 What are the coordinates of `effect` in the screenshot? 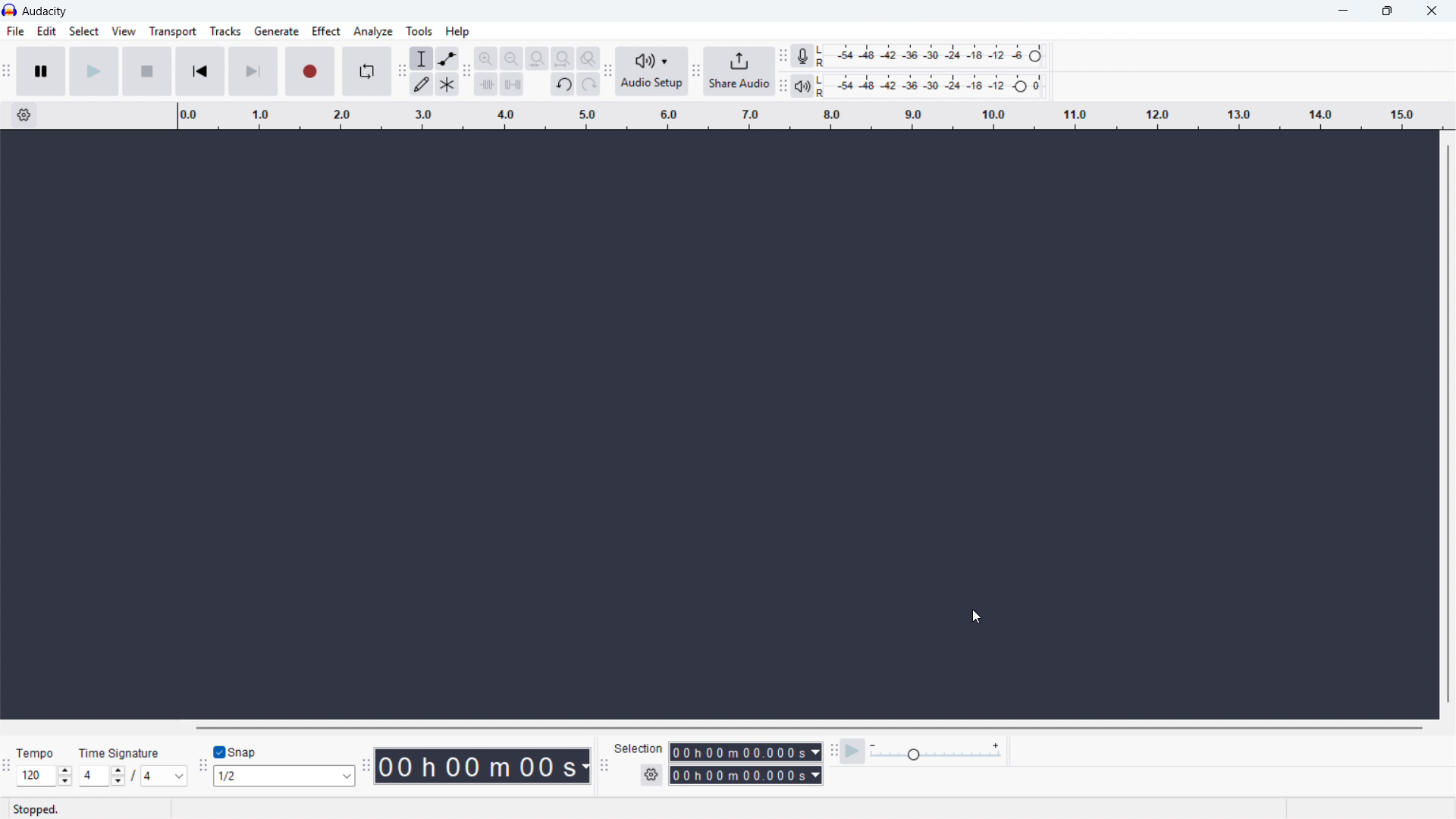 It's located at (325, 30).